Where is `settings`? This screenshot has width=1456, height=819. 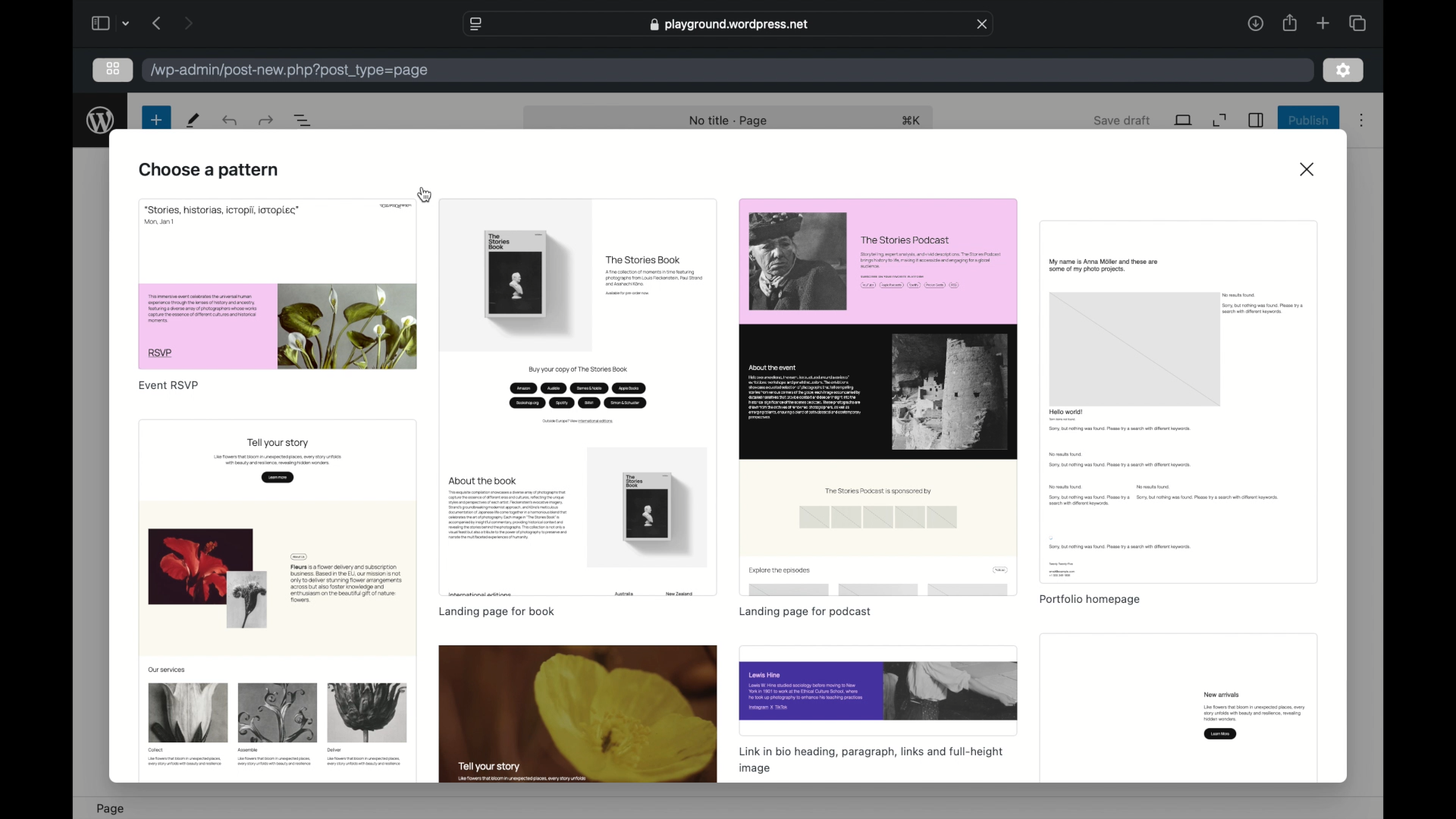
settings is located at coordinates (1344, 71).